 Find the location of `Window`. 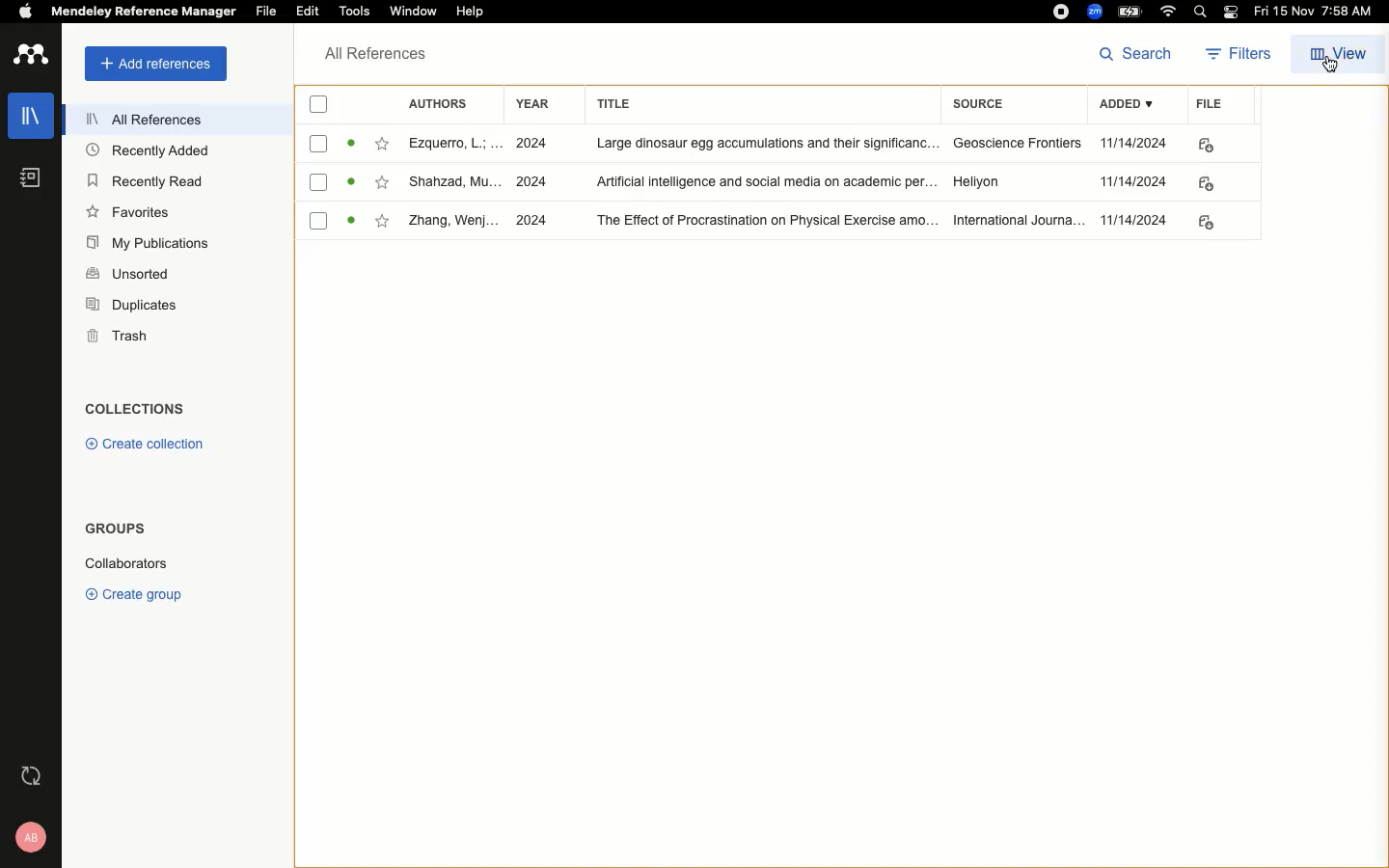

Window is located at coordinates (416, 13).